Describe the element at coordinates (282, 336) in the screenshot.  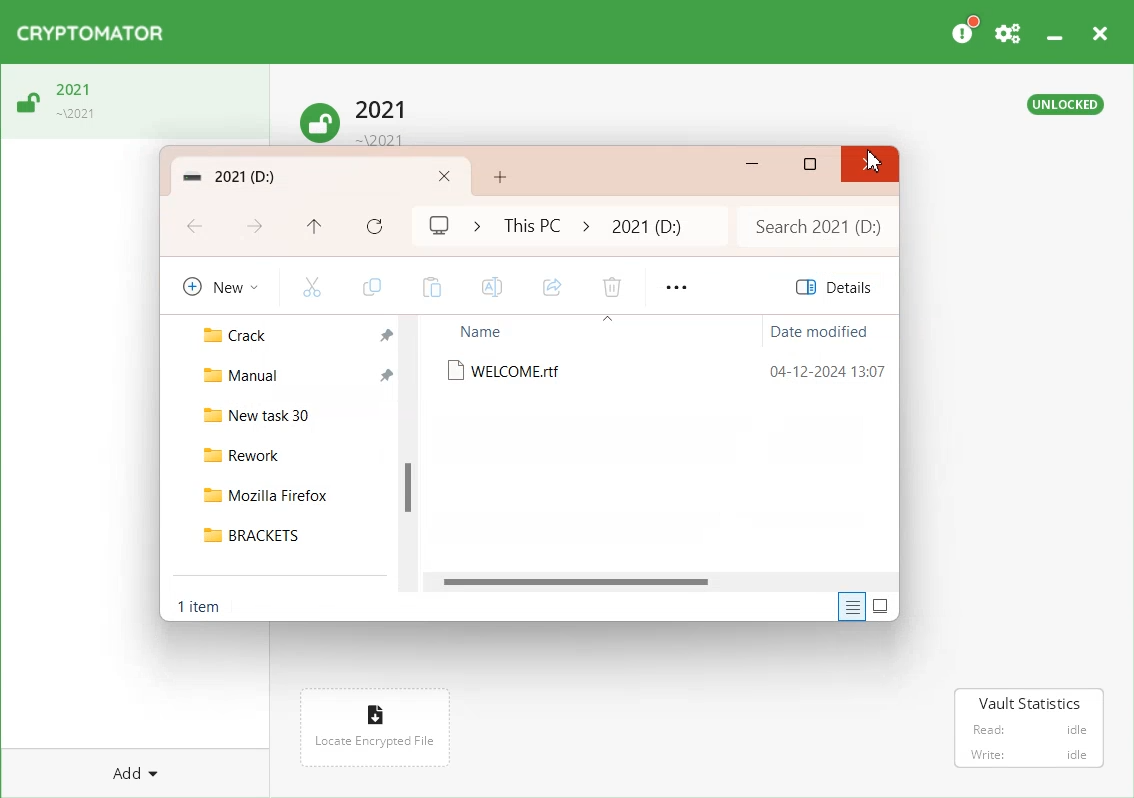
I see `Crack` at that location.